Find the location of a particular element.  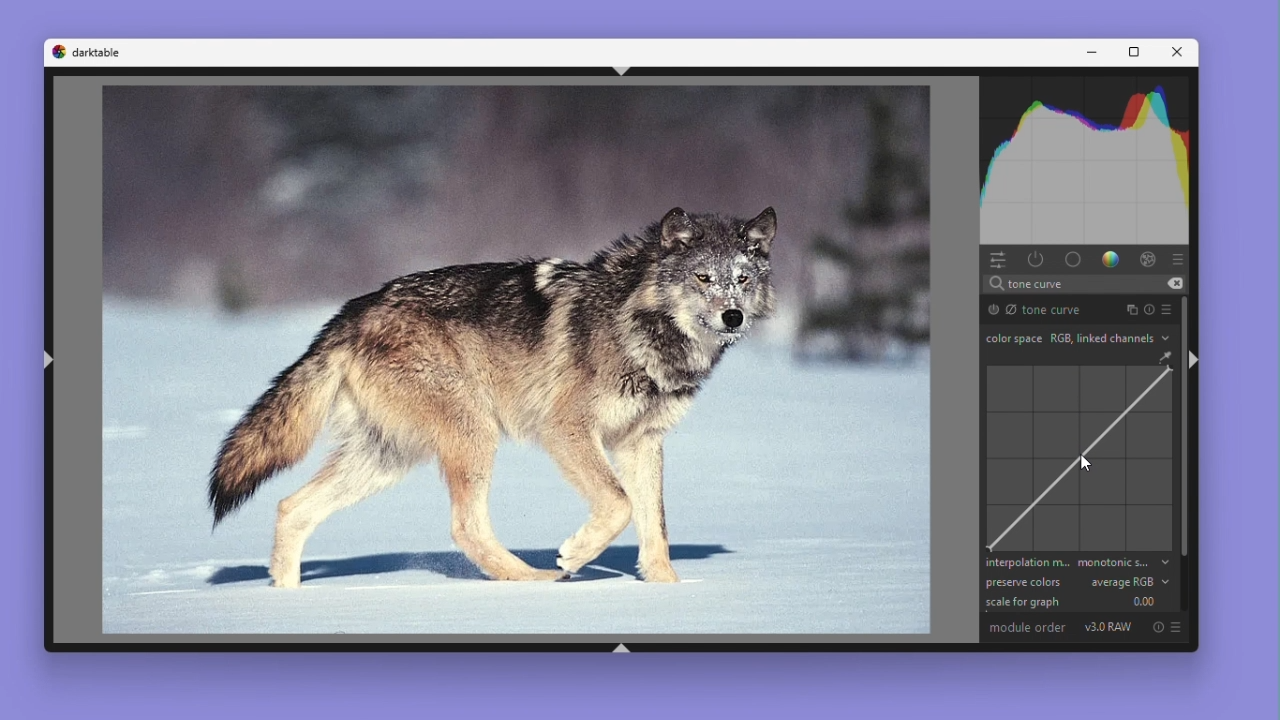

Tone curve is located at coordinates (1044, 309).